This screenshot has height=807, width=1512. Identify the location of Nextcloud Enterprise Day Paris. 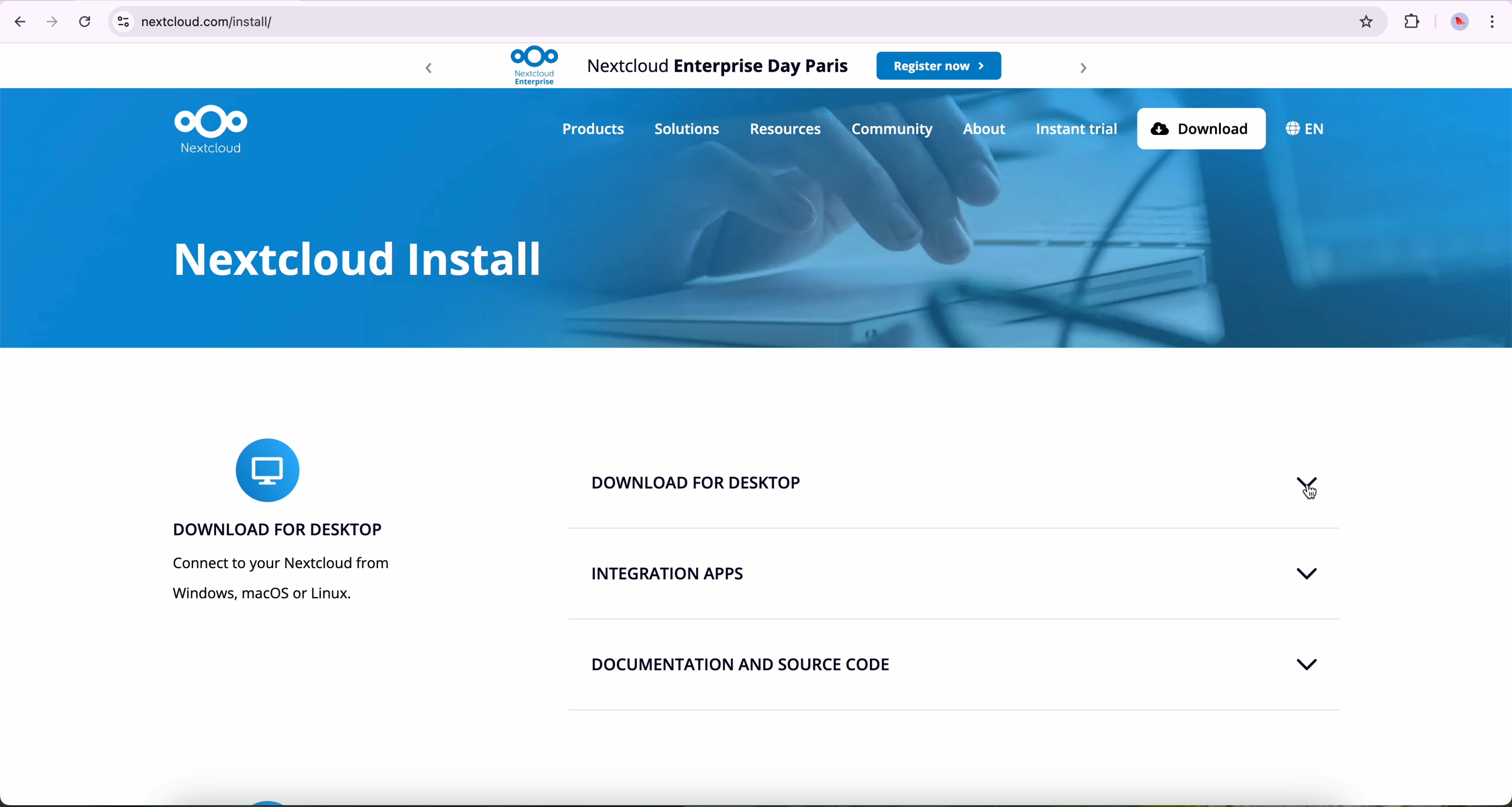
(716, 66).